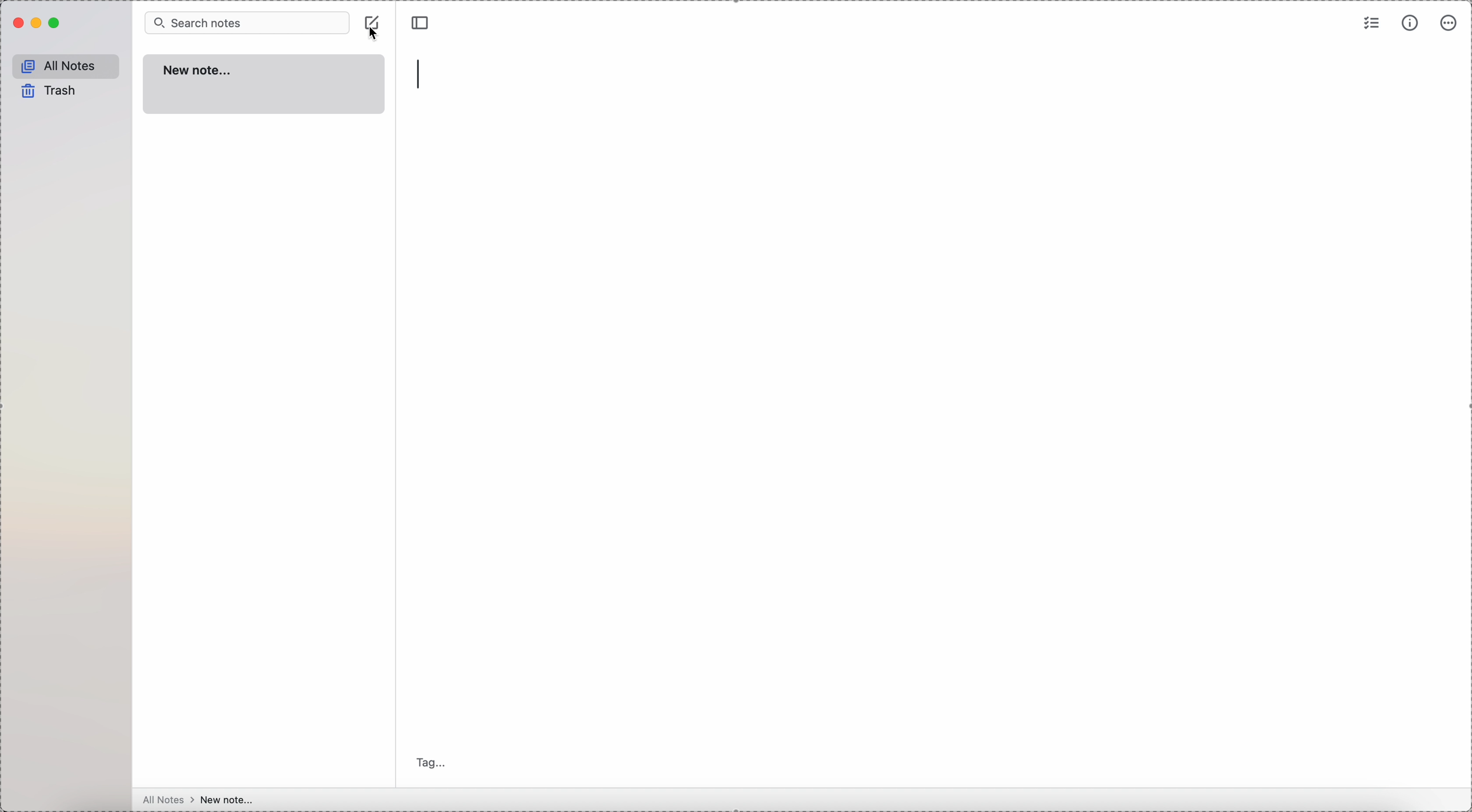 Image resolution: width=1472 pixels, height=812 pixels. I want to click on tag, so click(429, 761).